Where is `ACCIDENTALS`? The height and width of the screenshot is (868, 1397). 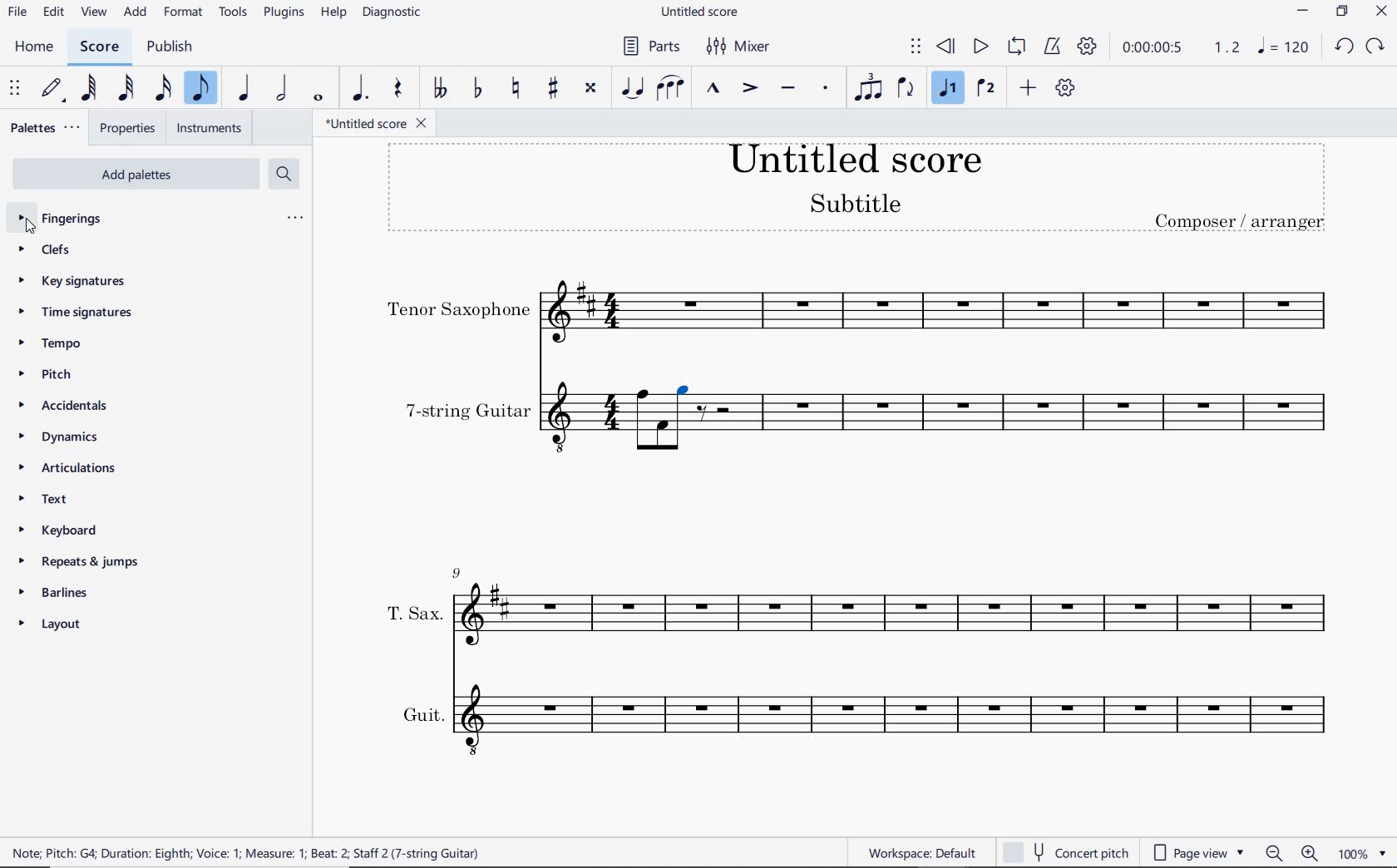
ACCIDENTALS is located at coordinates (72, 407).